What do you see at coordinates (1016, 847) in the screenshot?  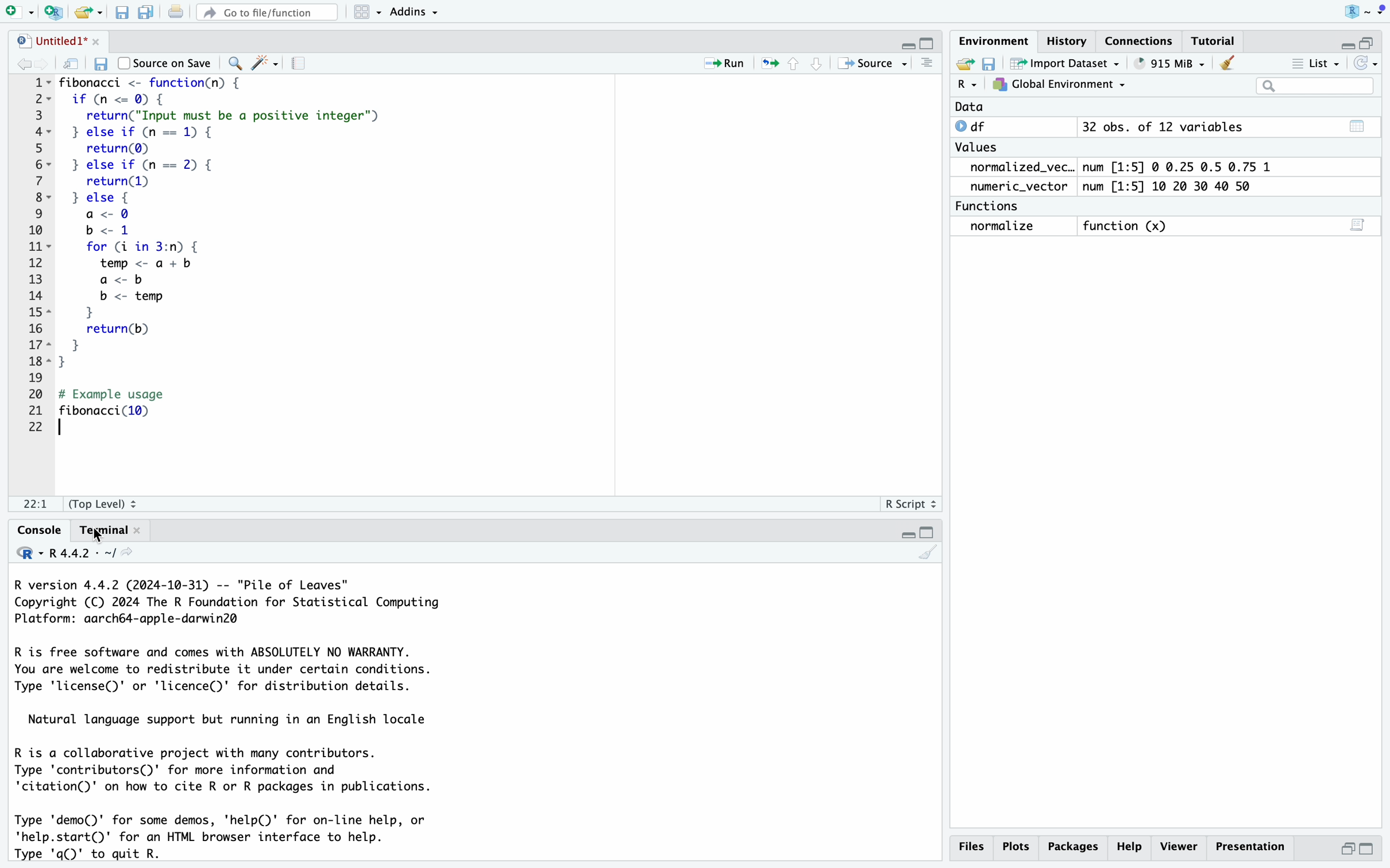 I see `plots` at bounding box center [1016, 847].